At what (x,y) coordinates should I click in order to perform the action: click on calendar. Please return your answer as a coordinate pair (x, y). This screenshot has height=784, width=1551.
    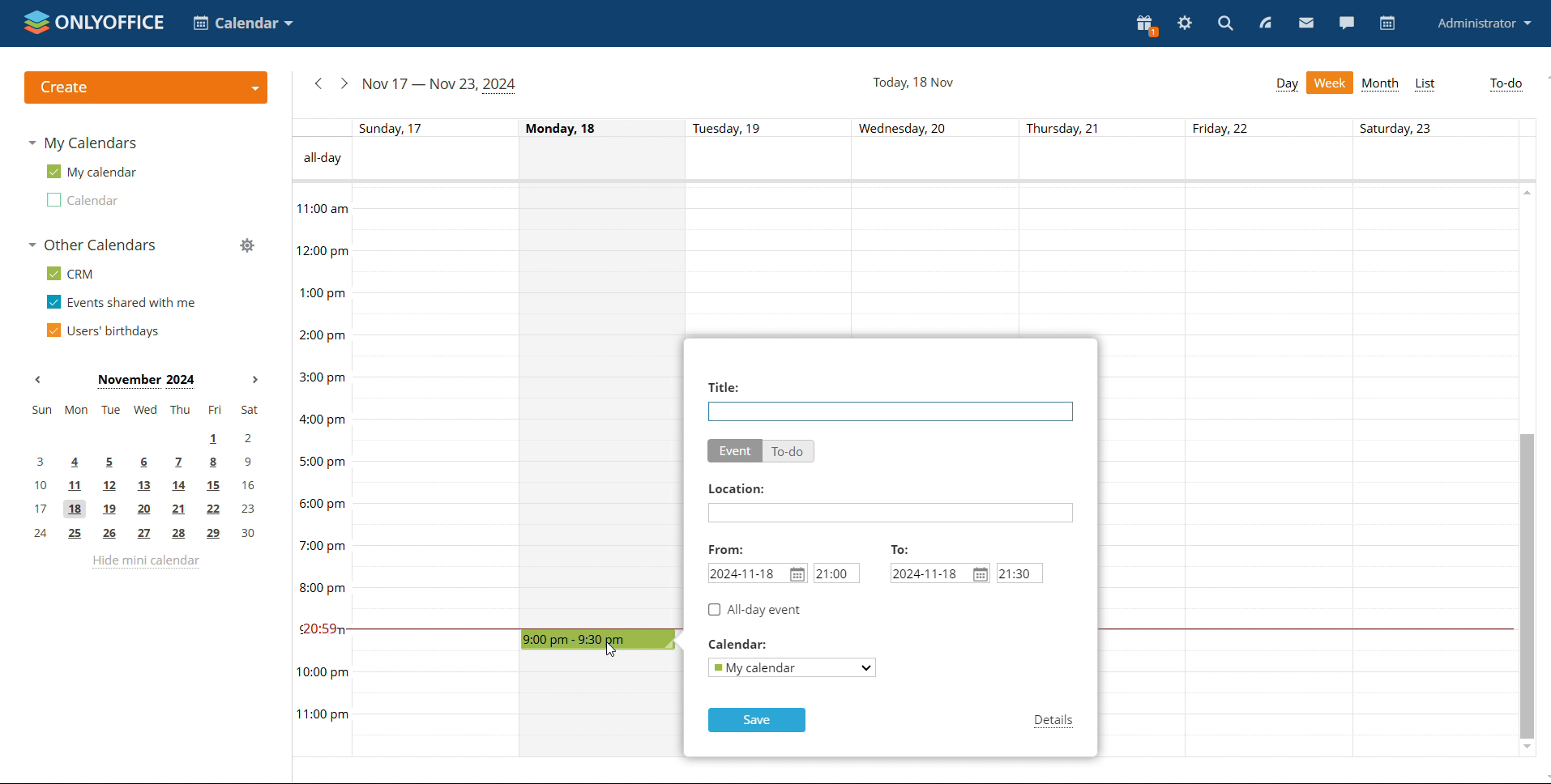
    Looking at the image, I should click on (1387, 23).